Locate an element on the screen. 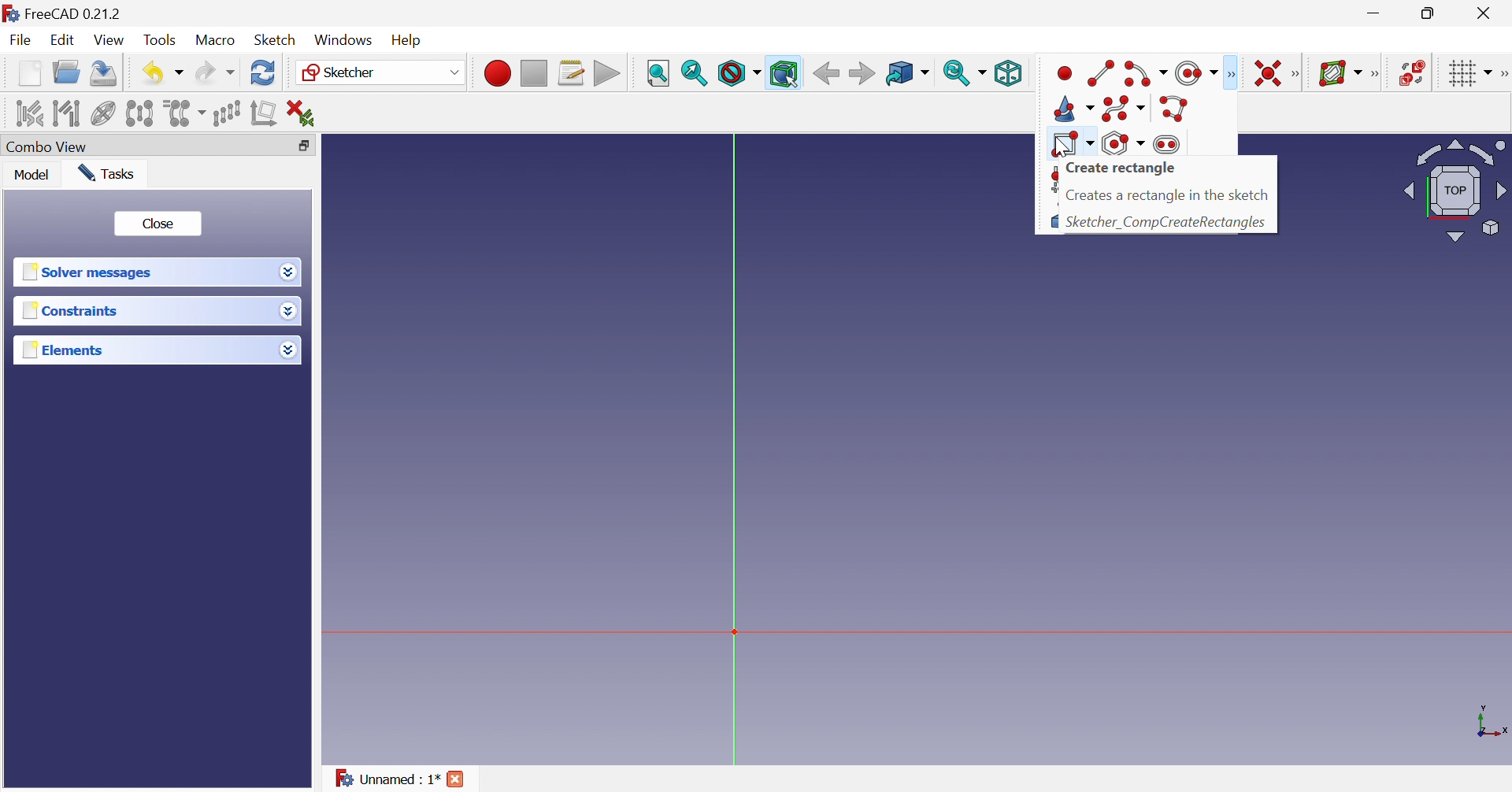 Image resolution: width=1512 pixels, height=792 pixels. Fit selection is located at coordinates (695, 72).